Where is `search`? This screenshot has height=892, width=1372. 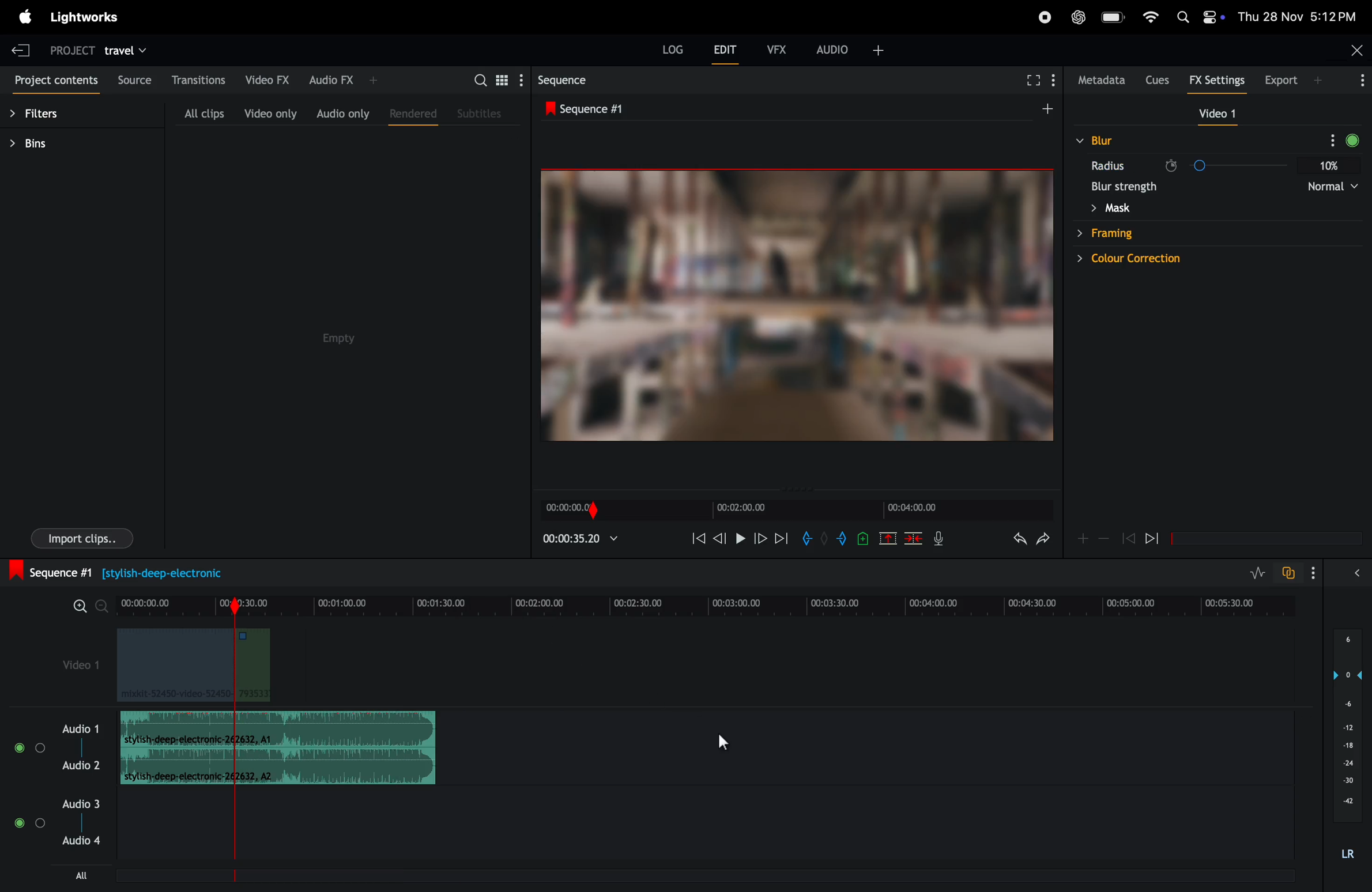
search is located at coordinates (480, 80).